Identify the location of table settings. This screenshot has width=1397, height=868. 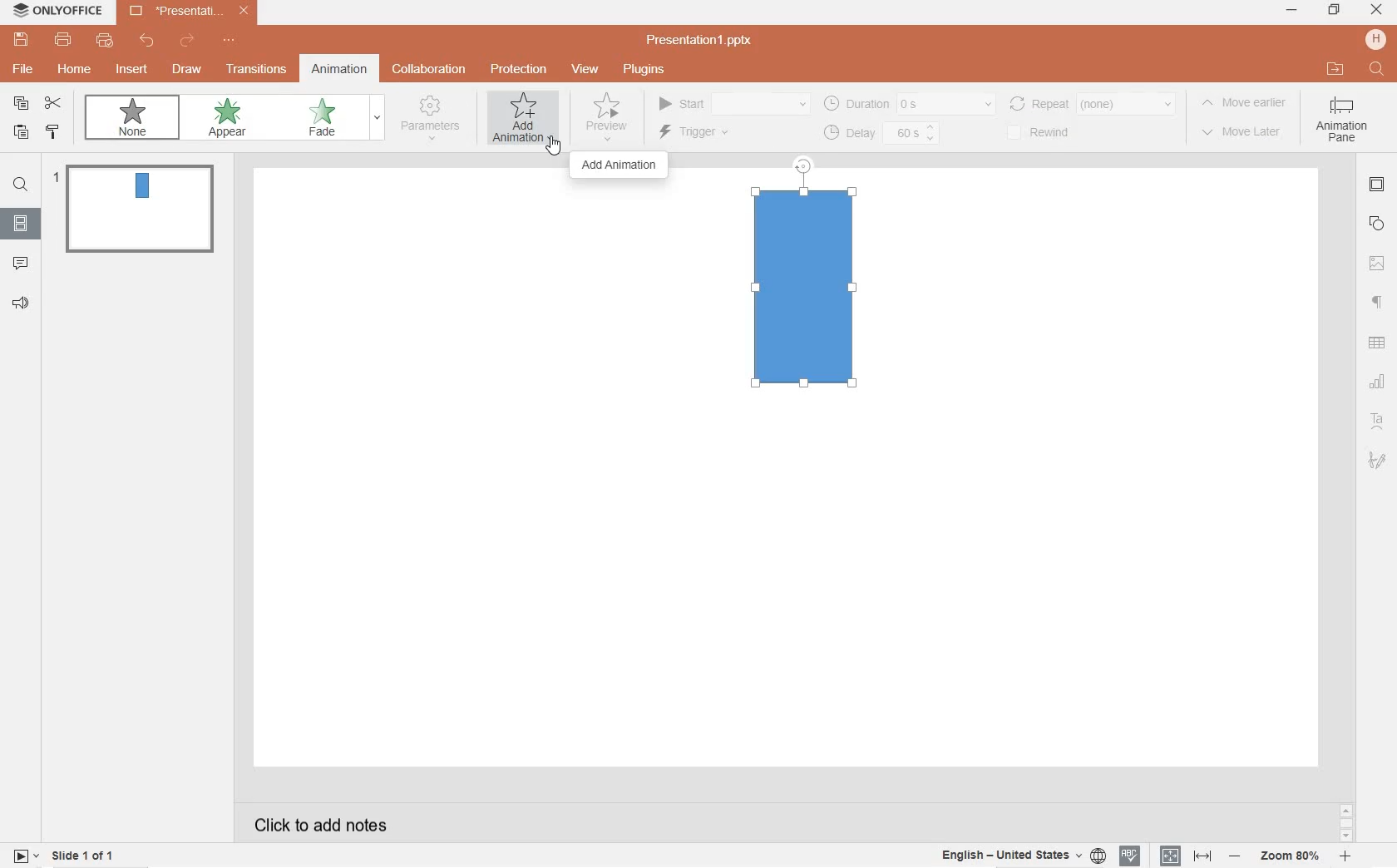
(1379, 343).